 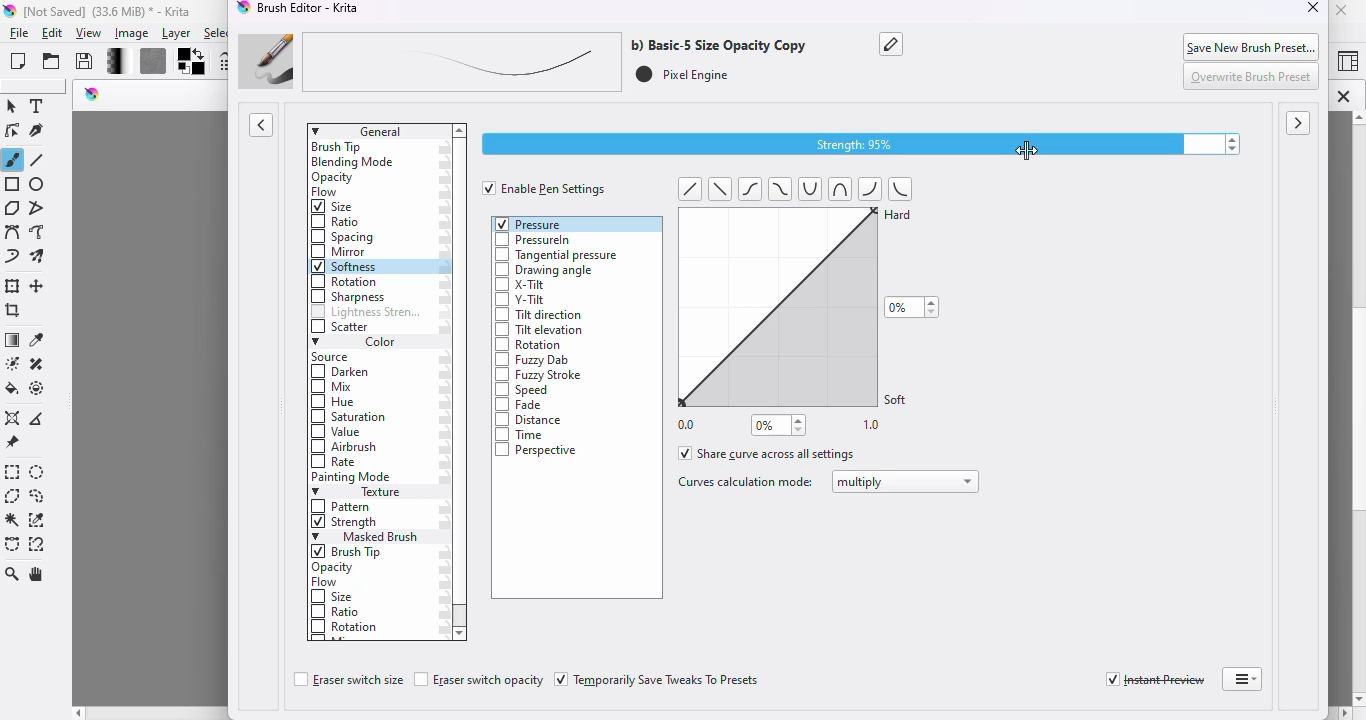 What do you see at coordinates (132, 33) in the screenshot?
I see `image` at bounding box center [132, 33].